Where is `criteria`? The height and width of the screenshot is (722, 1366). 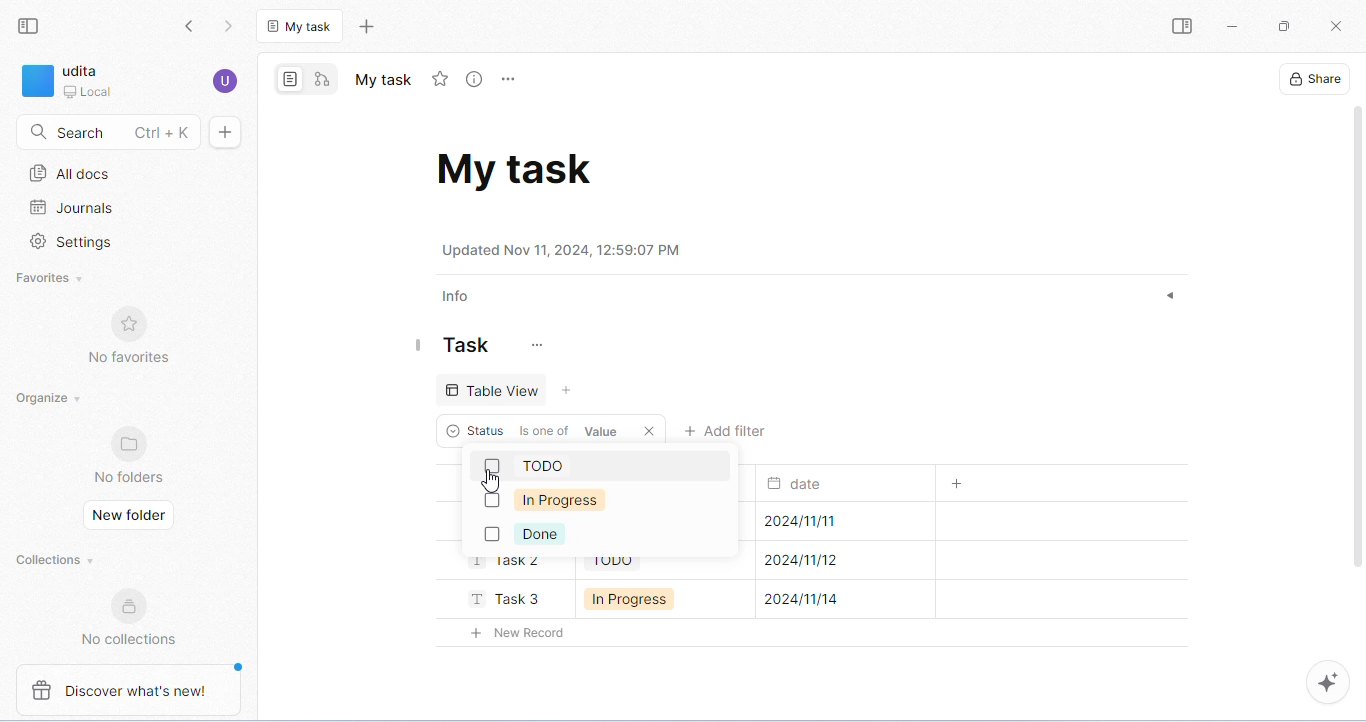 criteria is located at coordinates (542, 430).